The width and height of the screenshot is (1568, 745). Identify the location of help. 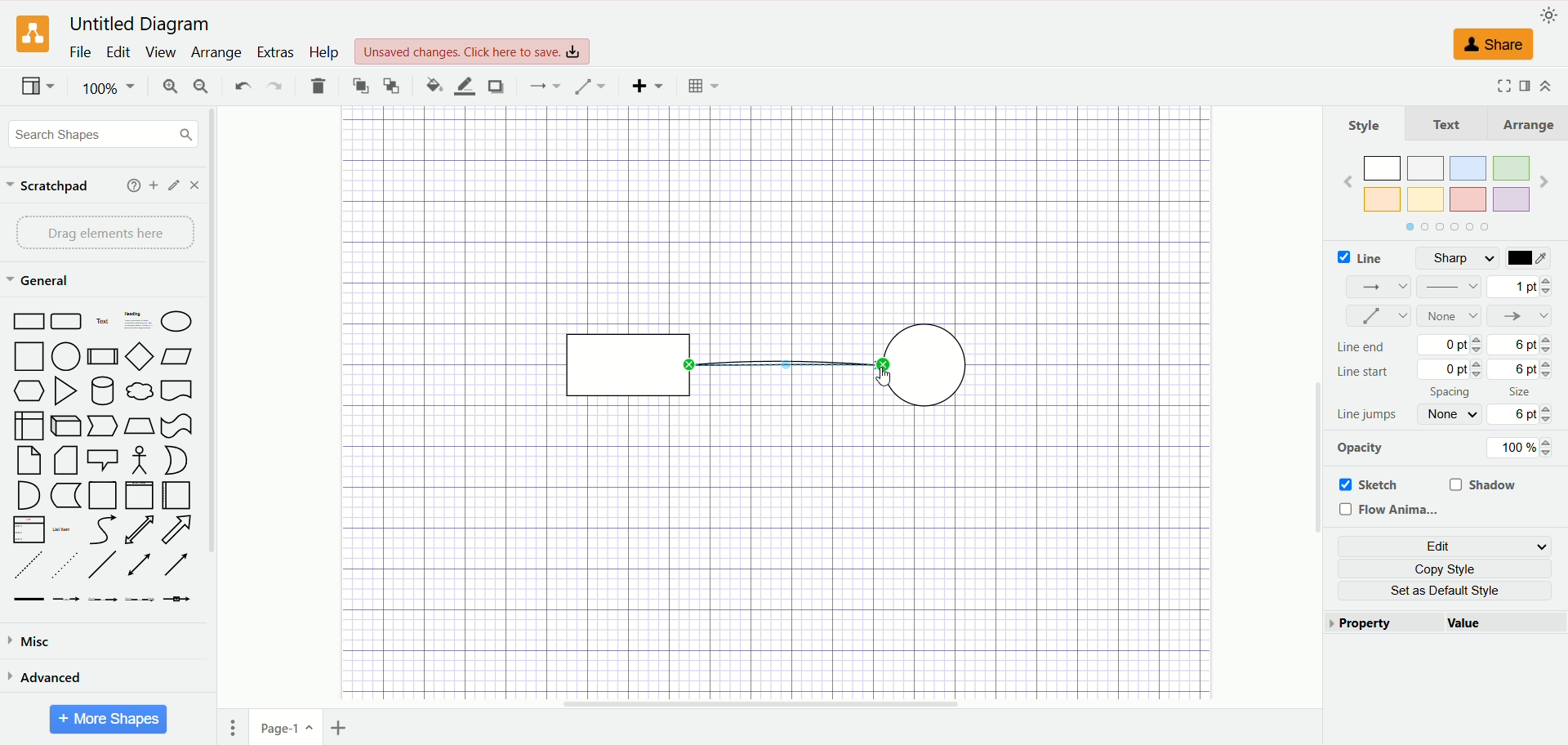
(131, 185).